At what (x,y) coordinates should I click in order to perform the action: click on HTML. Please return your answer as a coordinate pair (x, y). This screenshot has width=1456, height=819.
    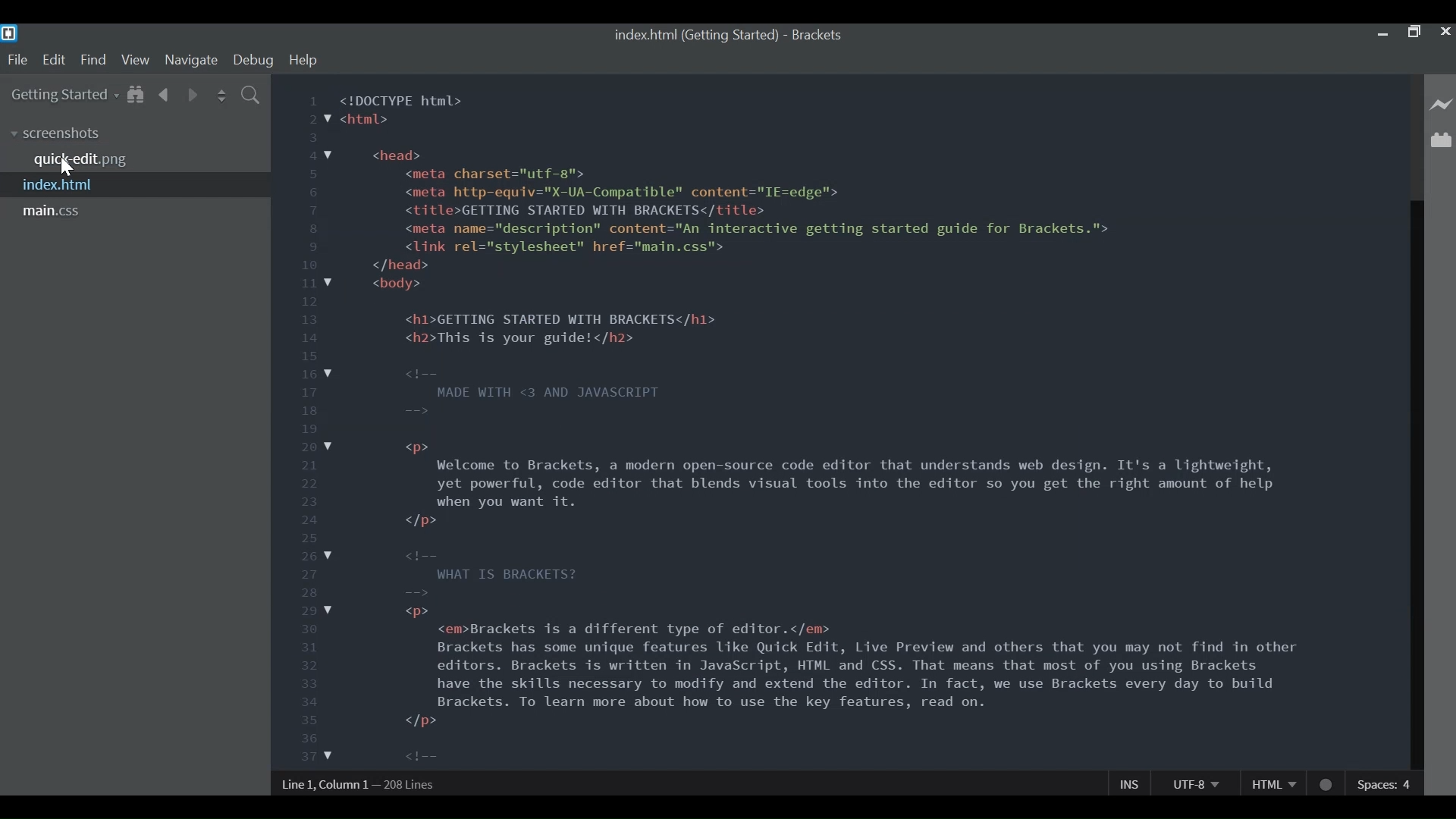
    Looking at the image, I should click on (1276, 783).